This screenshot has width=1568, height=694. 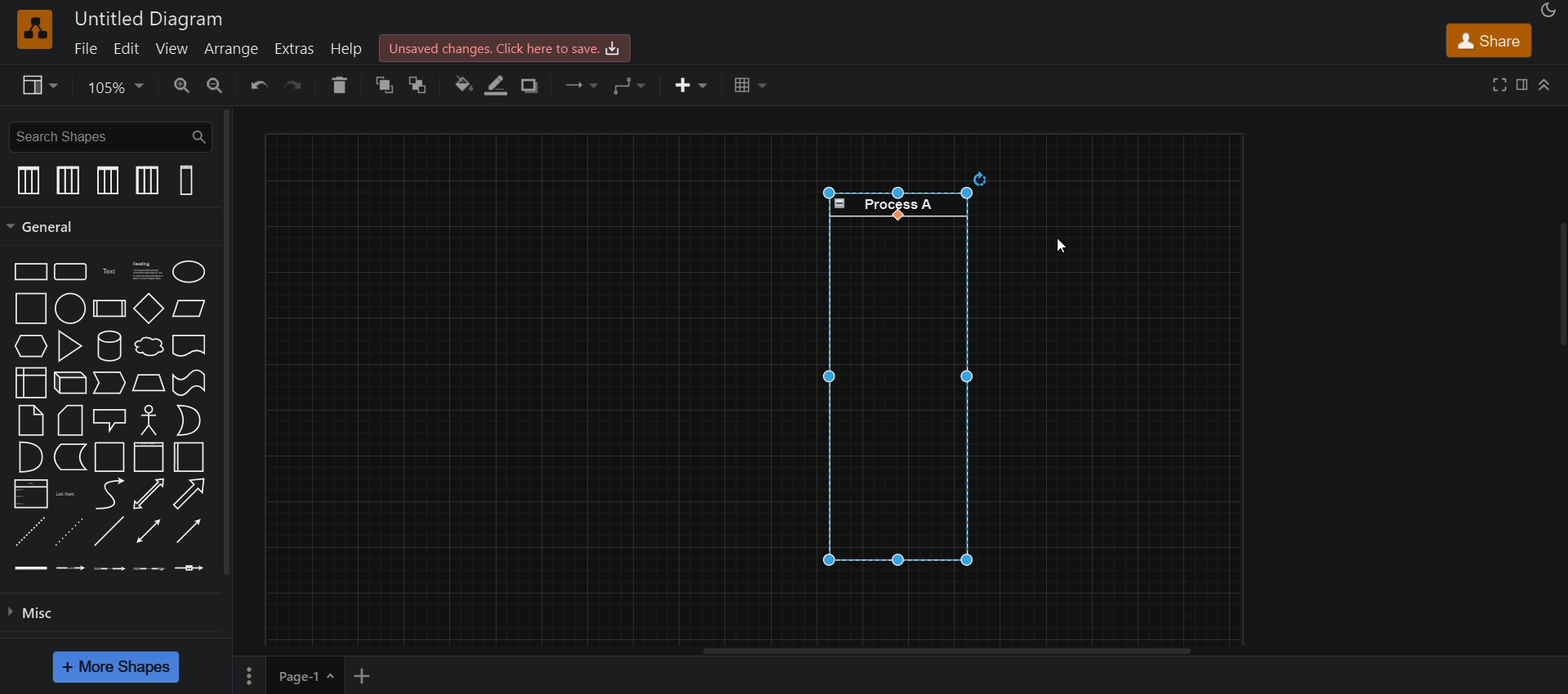 I want to click on to back, so click(x=421, y=87).